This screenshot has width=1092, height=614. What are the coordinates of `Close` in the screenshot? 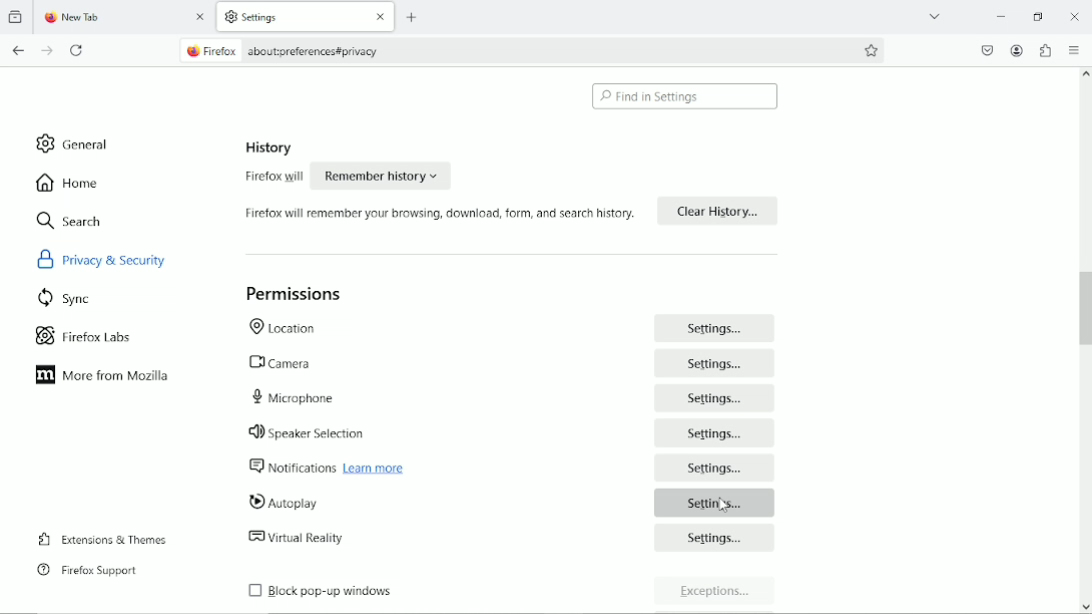 It's located at (1076, 18).